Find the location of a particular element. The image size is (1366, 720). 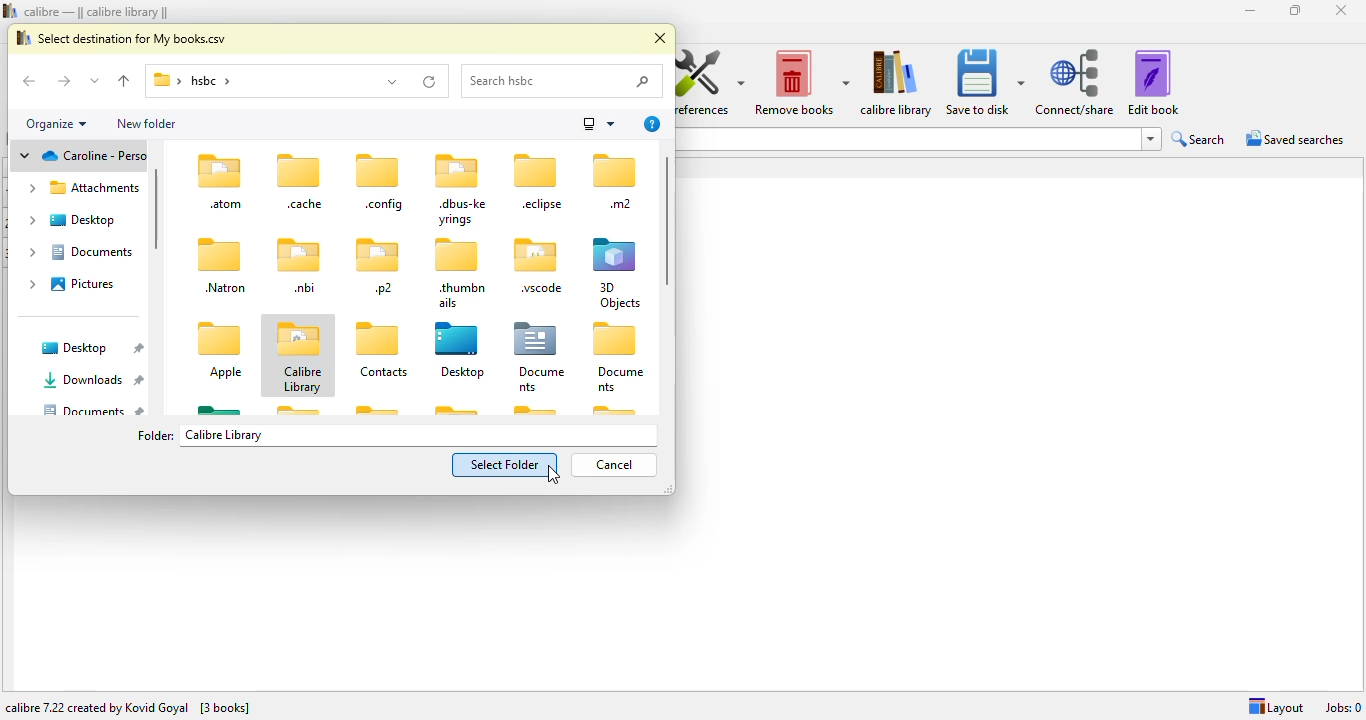

folders is located at coordinates (453, 408).